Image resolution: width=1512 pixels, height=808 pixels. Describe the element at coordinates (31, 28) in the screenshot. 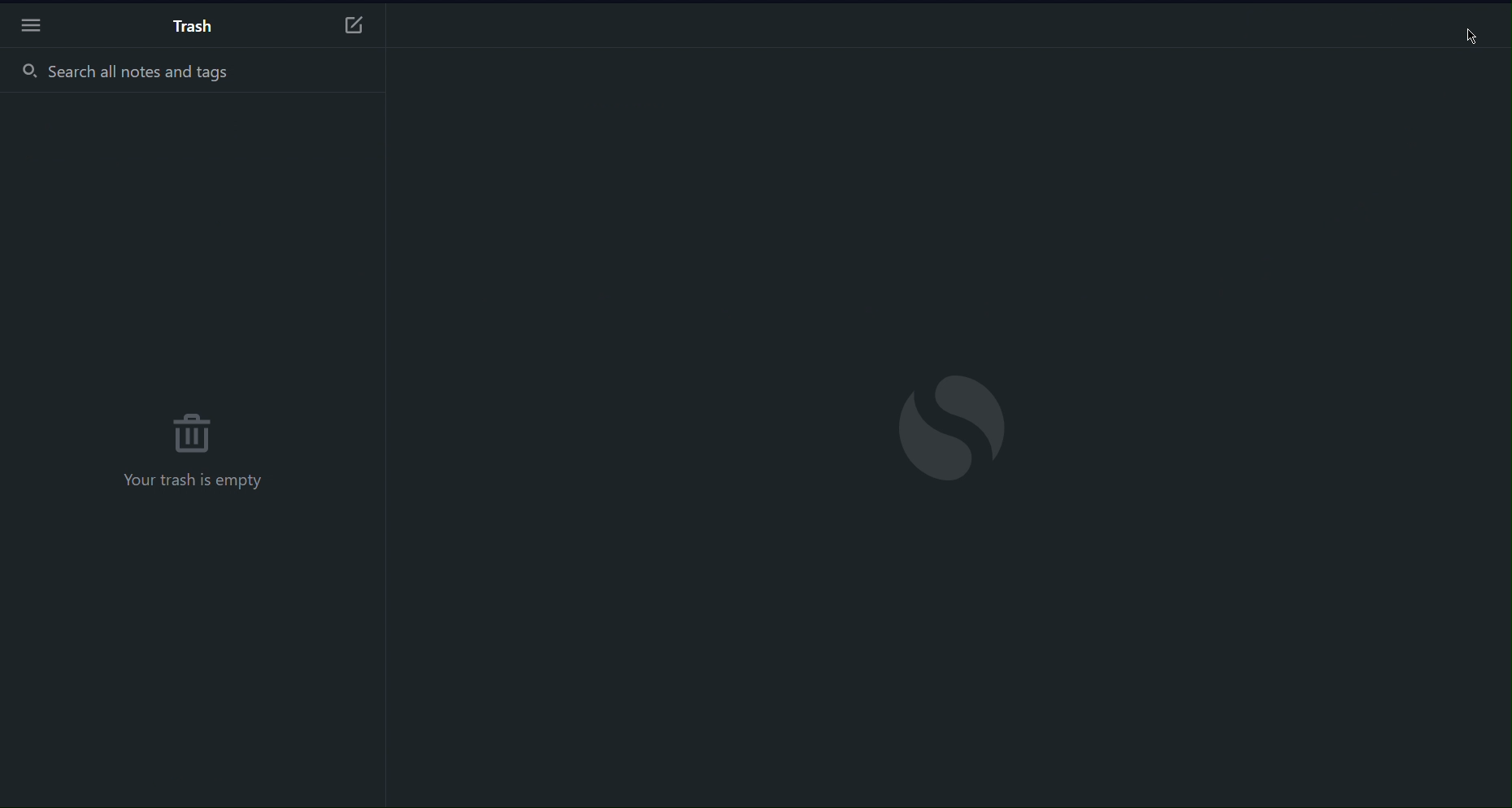

I see `More` at that location.